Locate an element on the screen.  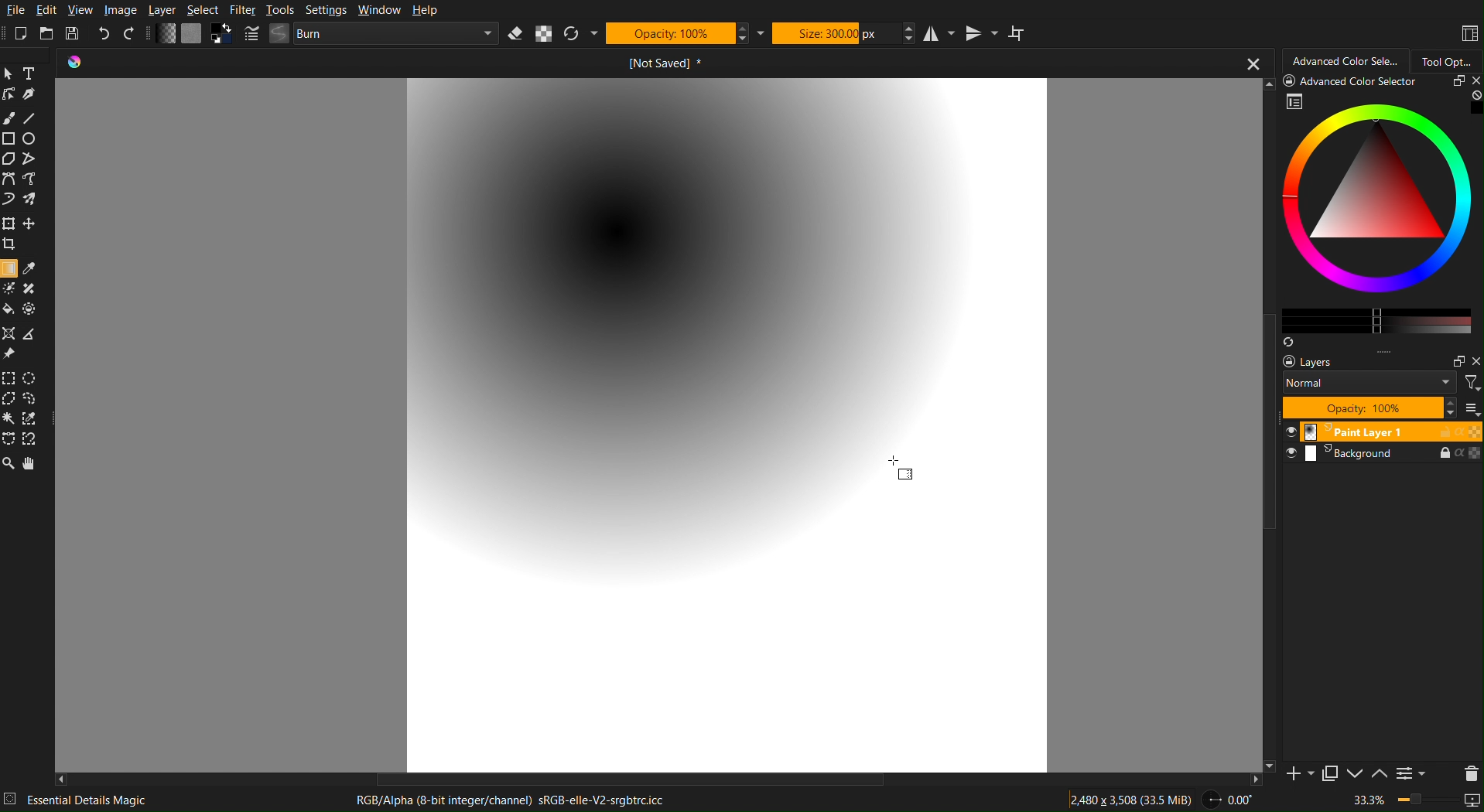
RGB/Alpha is located at coordinates (517, 800).